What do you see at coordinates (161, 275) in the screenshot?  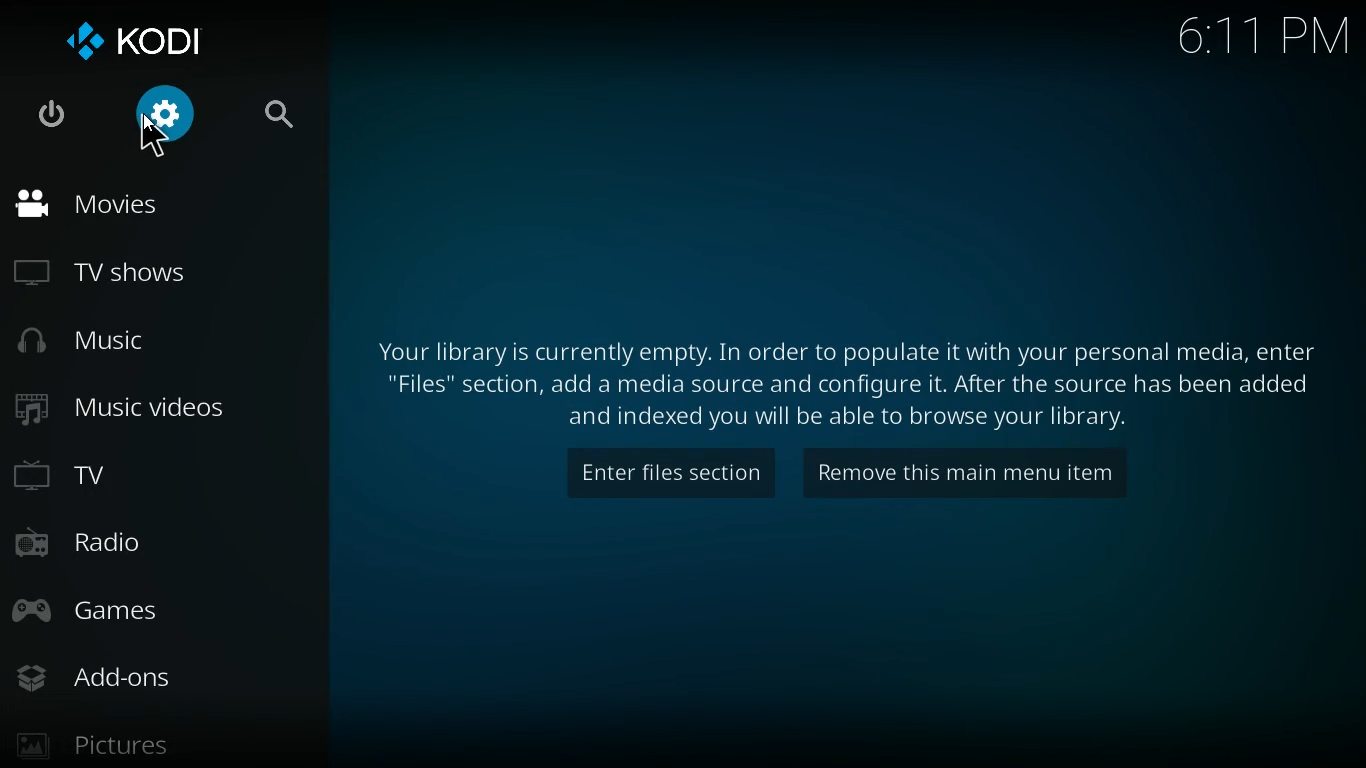 I see `tv shows` at bounding box center [161, 275].